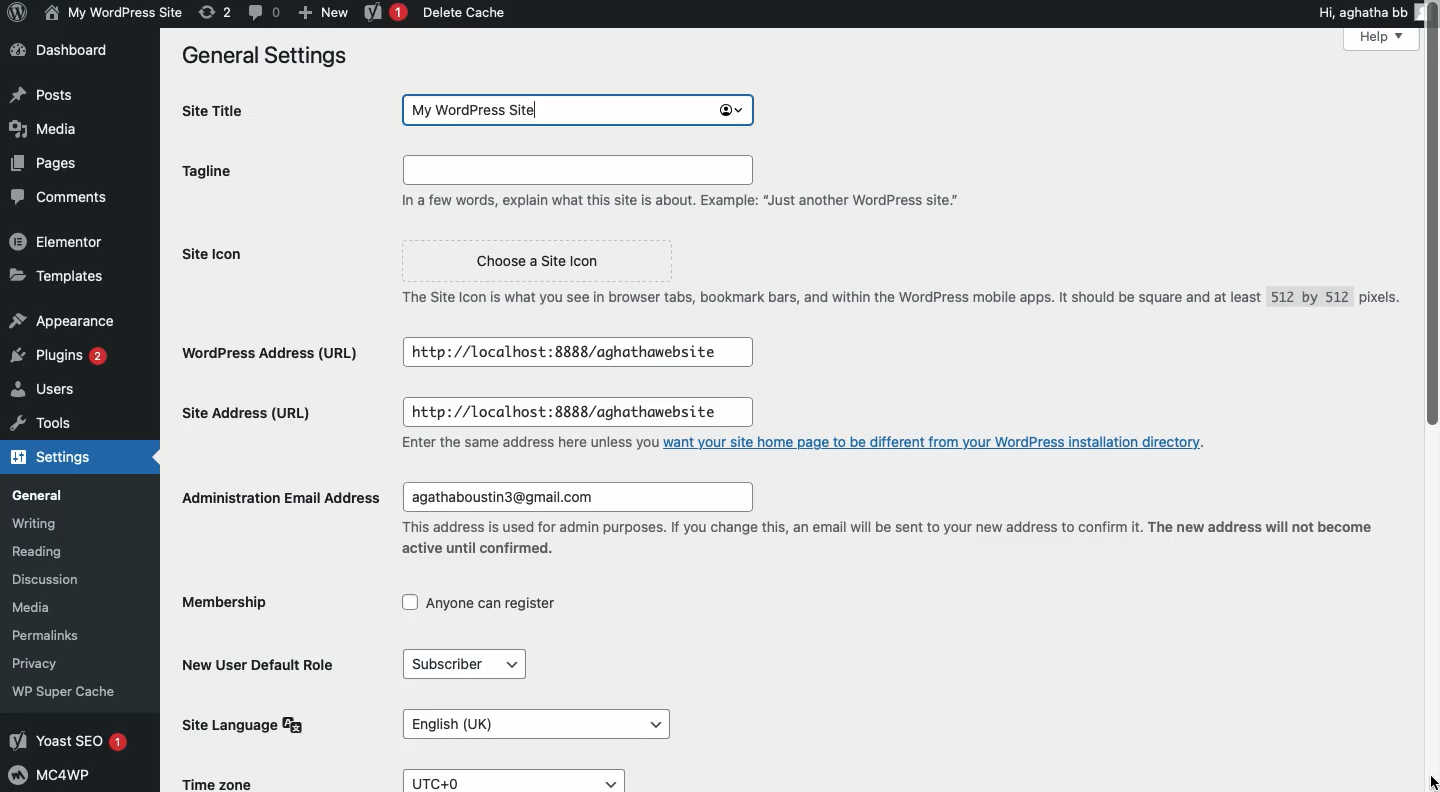 This screenshot has height=792, width=1440. What do you see at coordinates (1377, 45) in the screenshot?
I see `Help` at bounding box center [1377, 45].